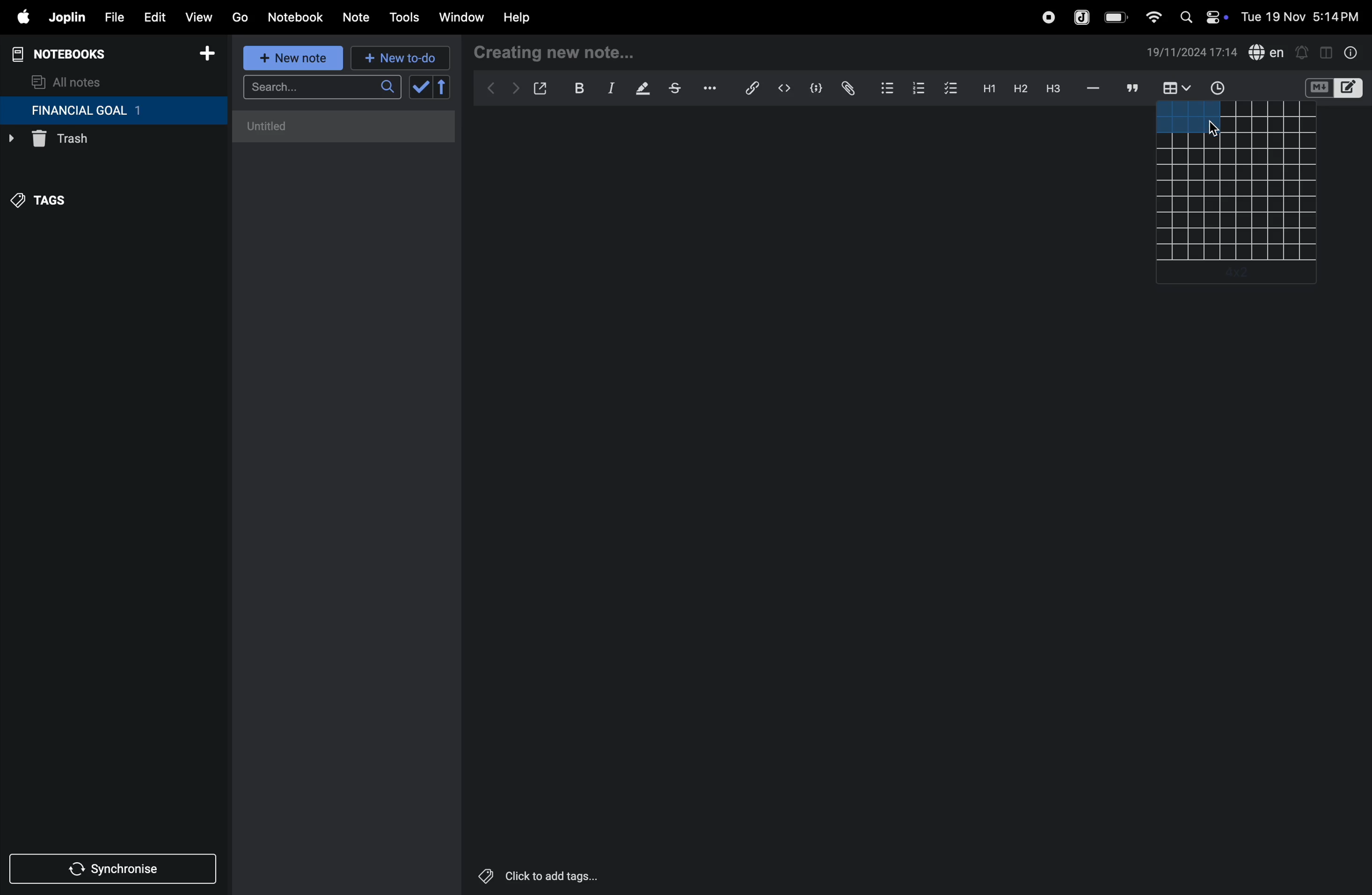 This screenshot has height=895, width=1372. I want to click on window, so click(460, 18).